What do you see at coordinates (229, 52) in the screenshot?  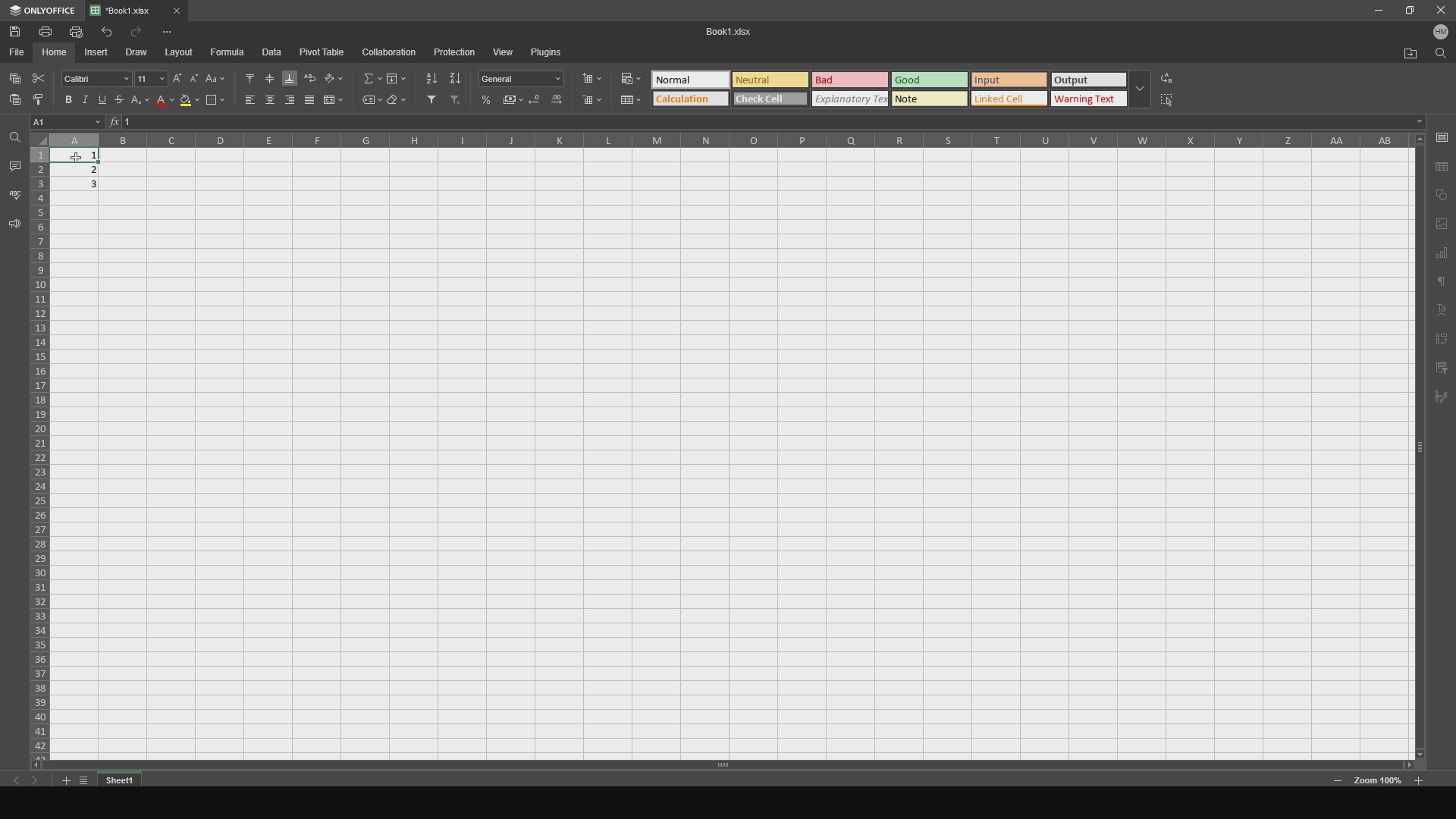 I see `formula` at bounding box center [229, 52].